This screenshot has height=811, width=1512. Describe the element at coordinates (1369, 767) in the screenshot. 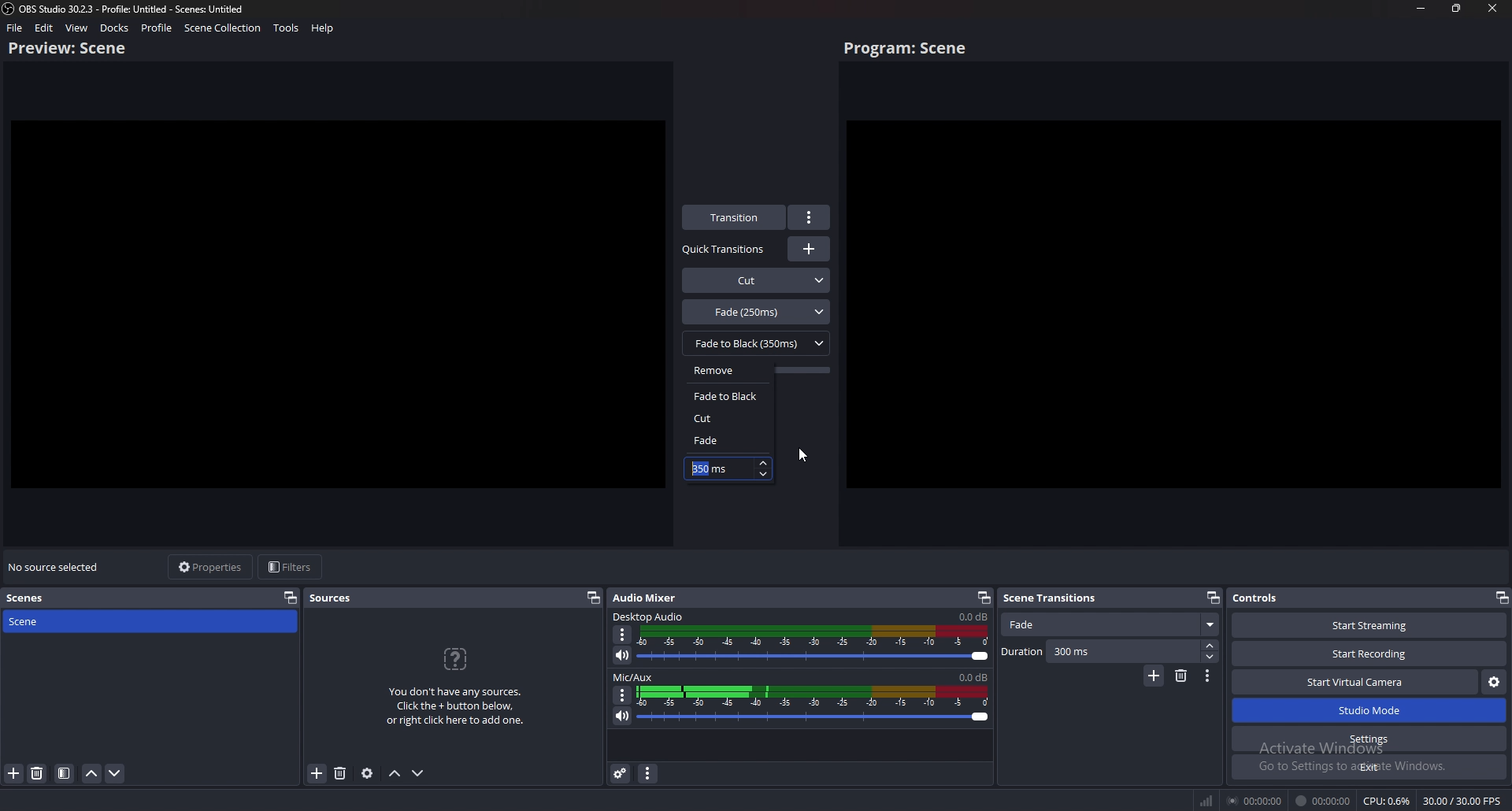

I see `Exit` at that location.